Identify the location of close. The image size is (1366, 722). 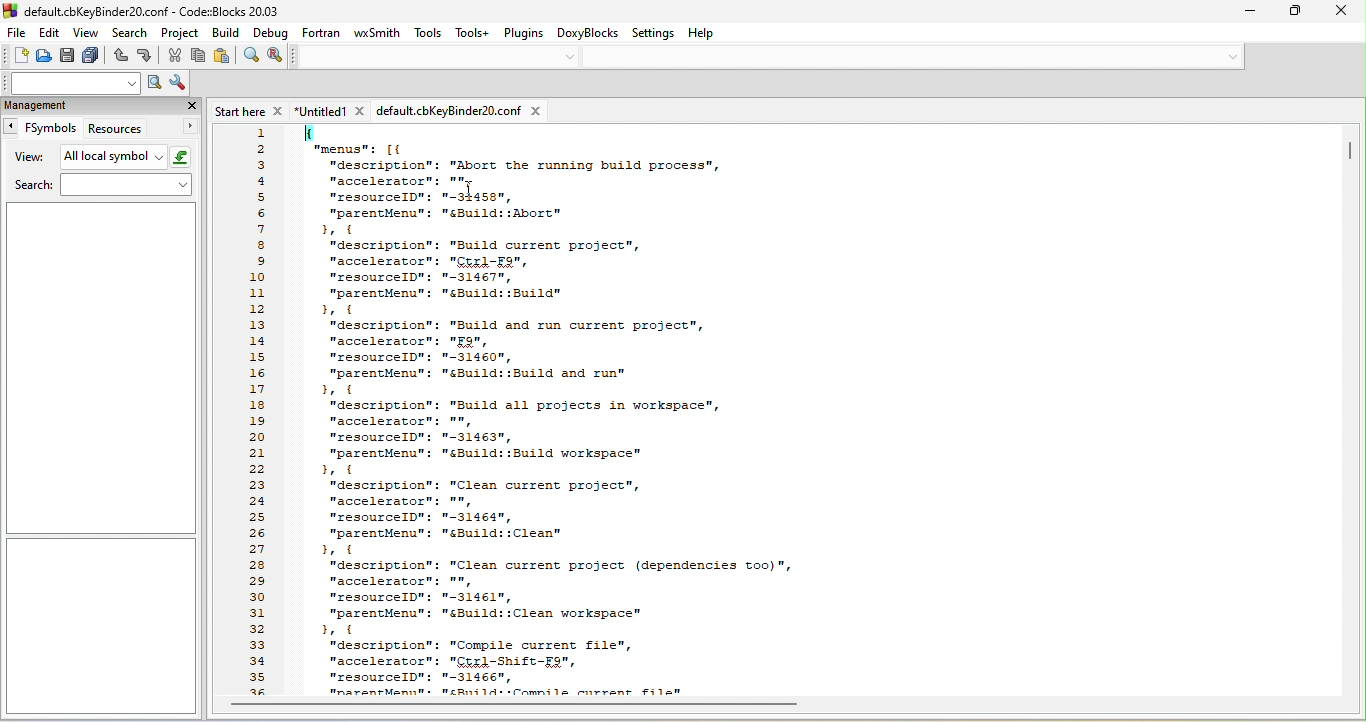
(191, 106).